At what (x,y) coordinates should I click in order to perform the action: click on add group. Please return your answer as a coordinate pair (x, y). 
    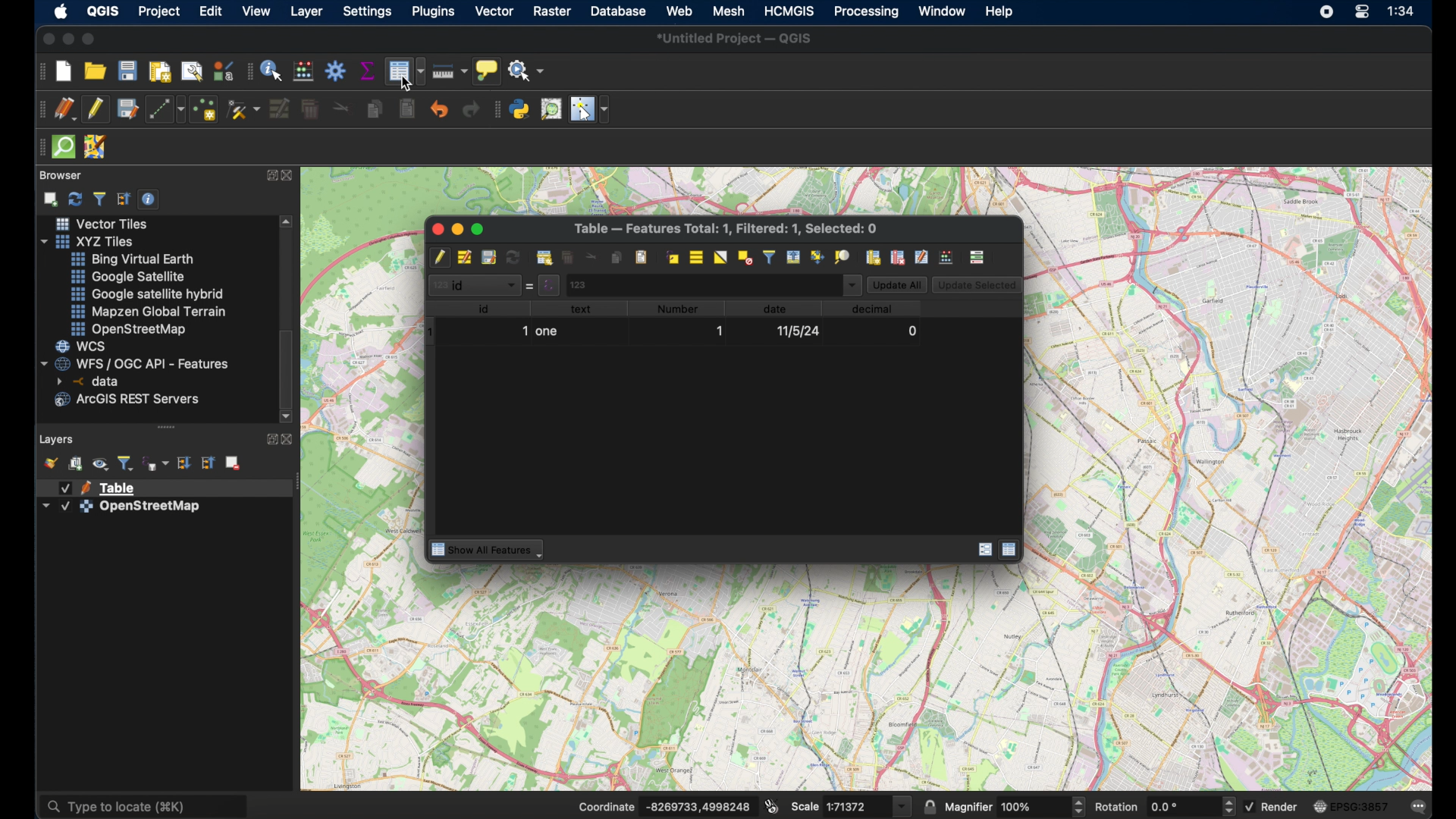
    Looking at the image, I should click on (76, 463).